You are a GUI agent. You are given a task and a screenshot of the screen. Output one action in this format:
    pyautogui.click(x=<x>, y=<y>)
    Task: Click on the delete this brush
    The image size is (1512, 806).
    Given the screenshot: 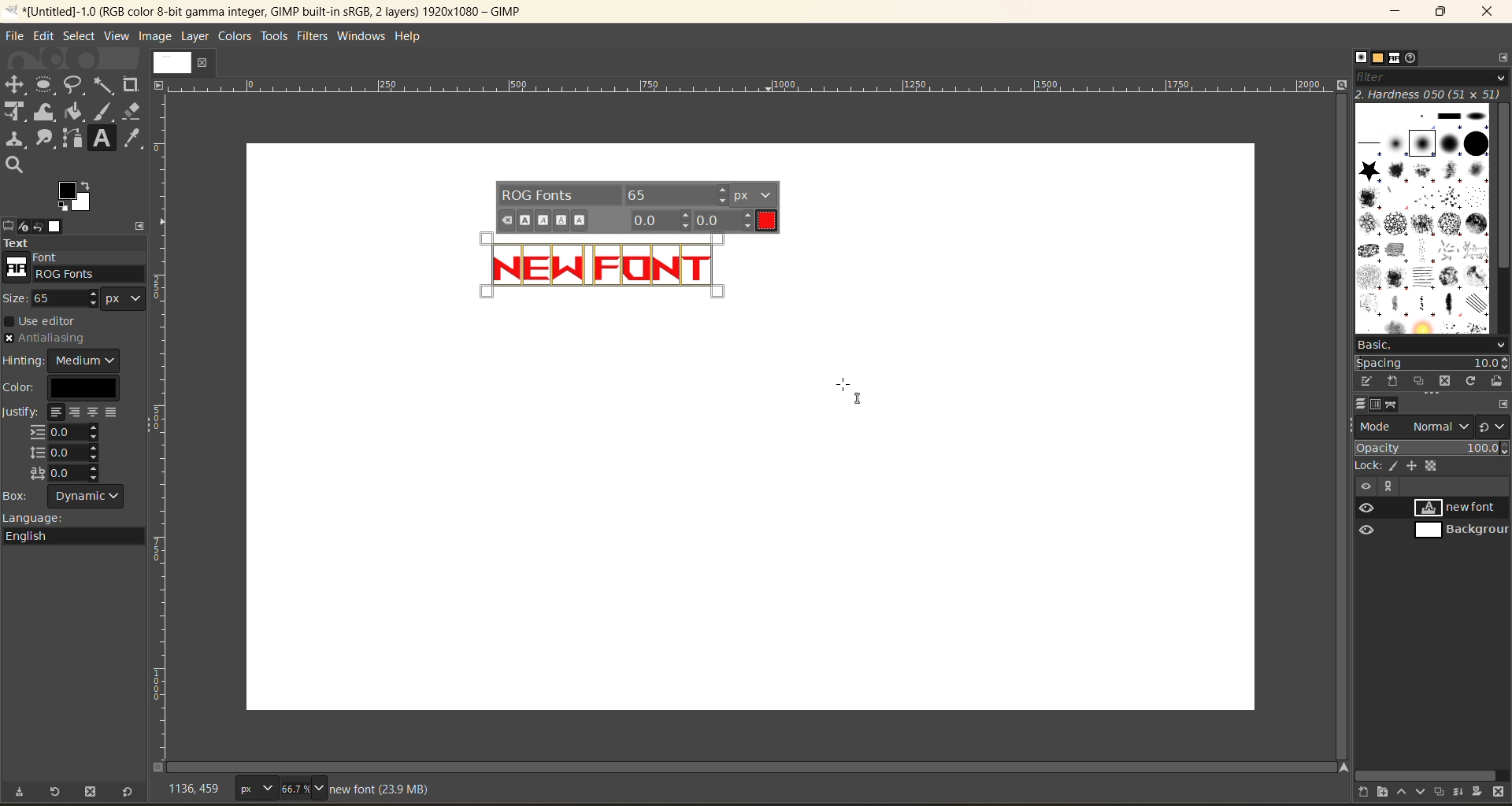 What is the action you would take?
    pyautogui.click(x=1448, y=379)
    